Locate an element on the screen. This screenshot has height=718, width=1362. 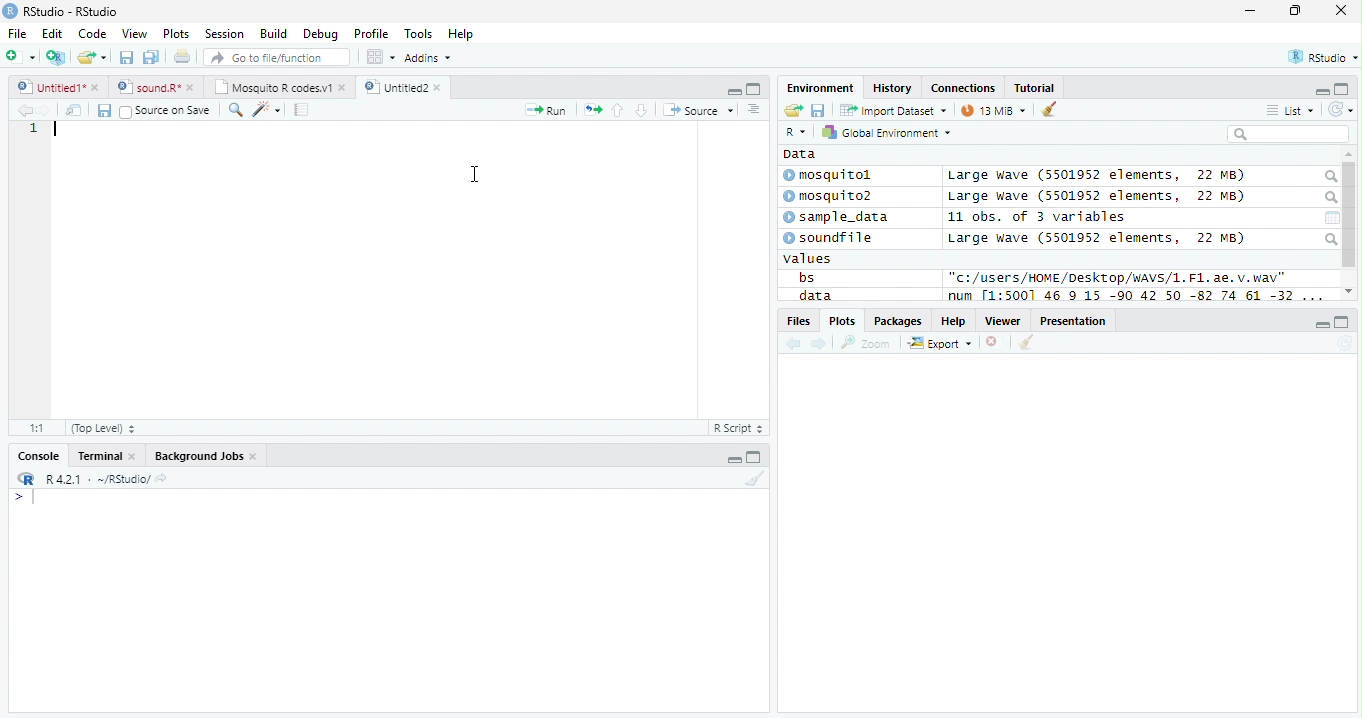
Plots is located at coordinates (841, 321).